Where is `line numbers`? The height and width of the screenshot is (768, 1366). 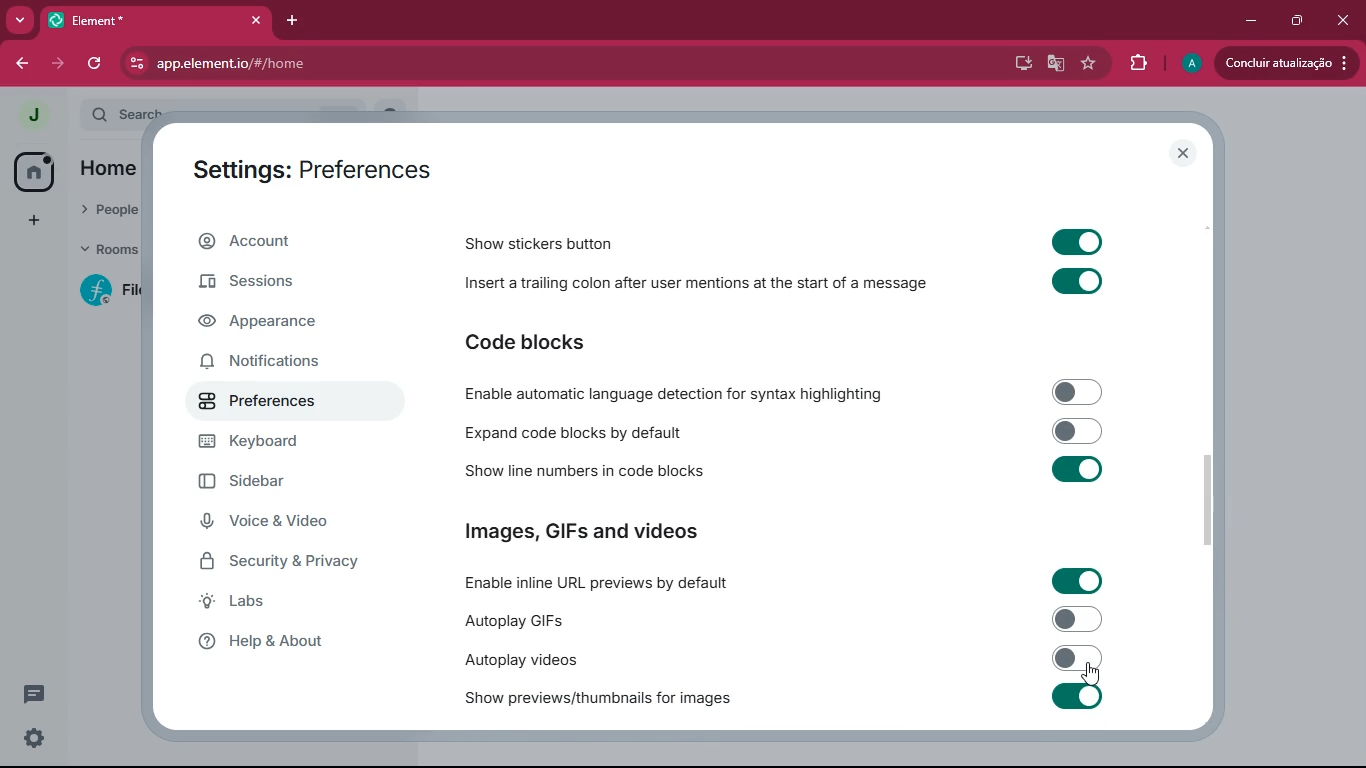
line numbers is located at coordinates (579, 472).